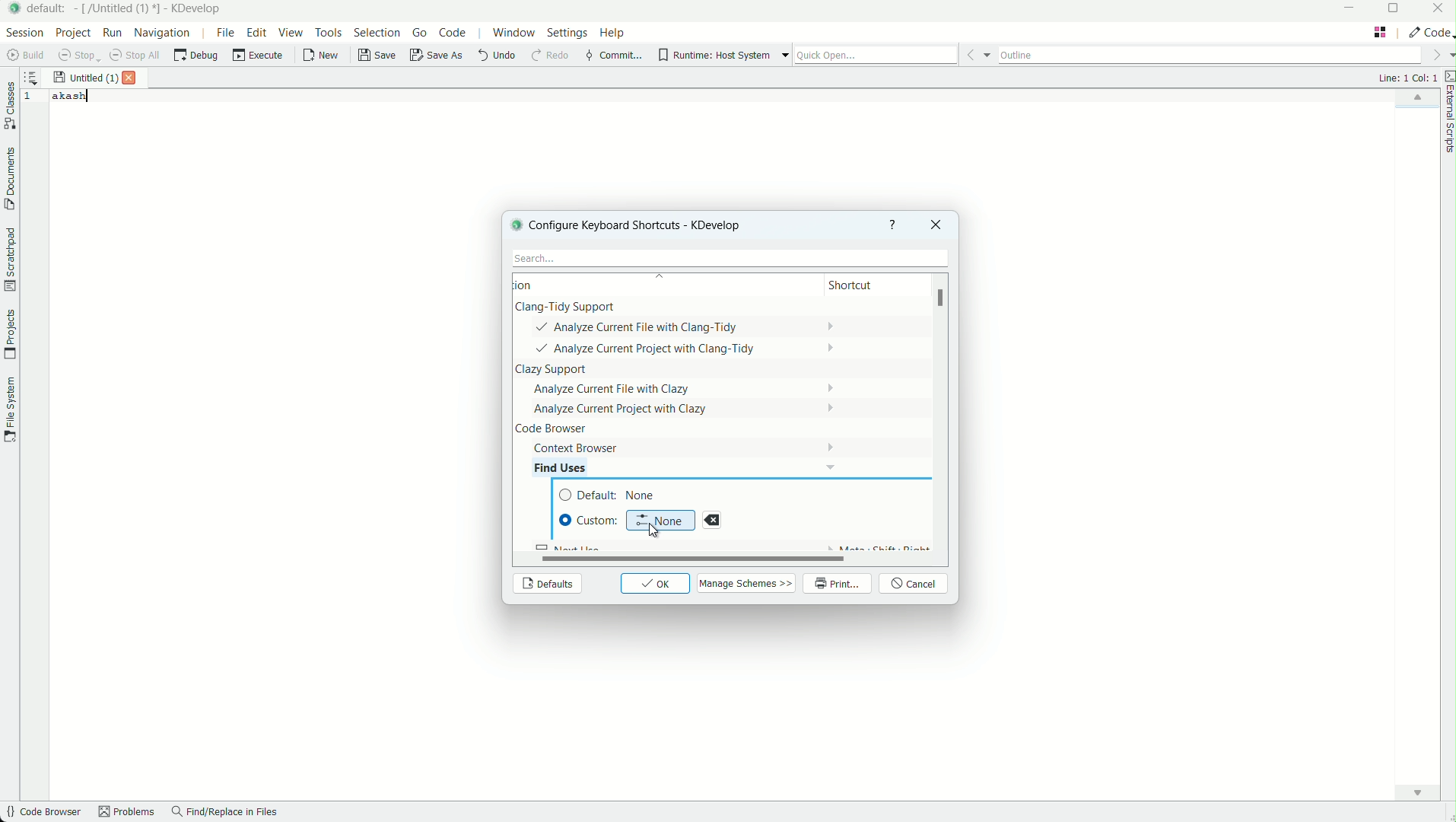  What do you see at coordinates (785, 56) in the screenshot?
I see `more options` at bounding box center [785, 56].